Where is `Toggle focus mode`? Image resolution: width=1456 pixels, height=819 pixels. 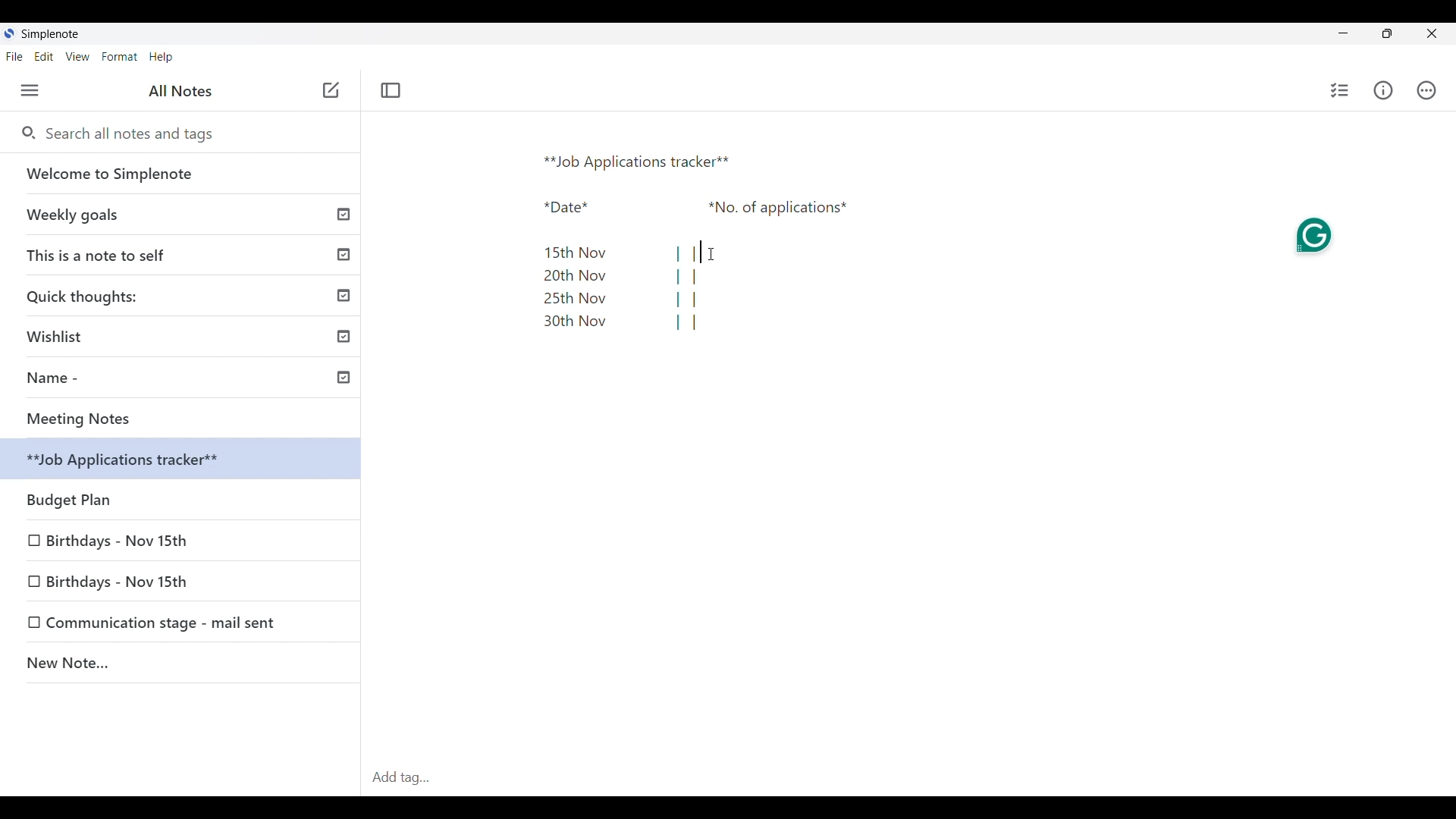
Toggle focus mode is located at coordinates (390, 90).